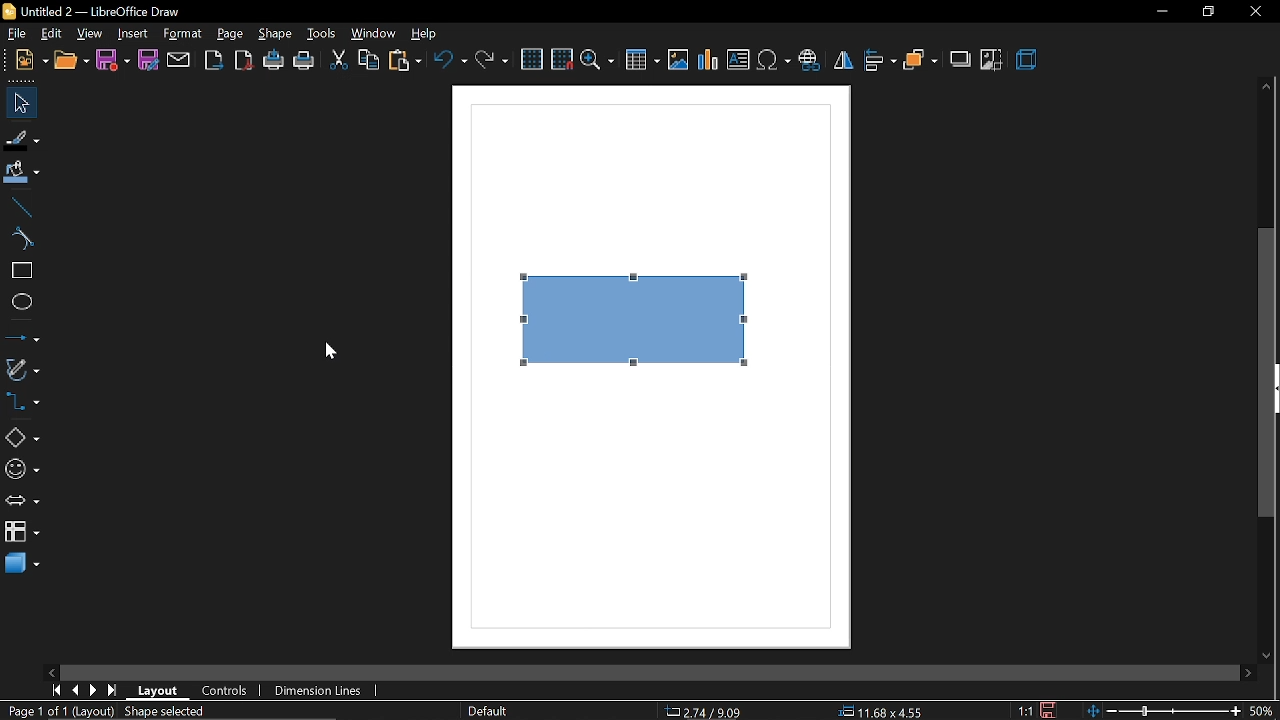 The image size is (1280, 720). What do you see at coordinates (20, 437) in the screenshot?
I see `basic shapes` at bounding box center [20, 437].